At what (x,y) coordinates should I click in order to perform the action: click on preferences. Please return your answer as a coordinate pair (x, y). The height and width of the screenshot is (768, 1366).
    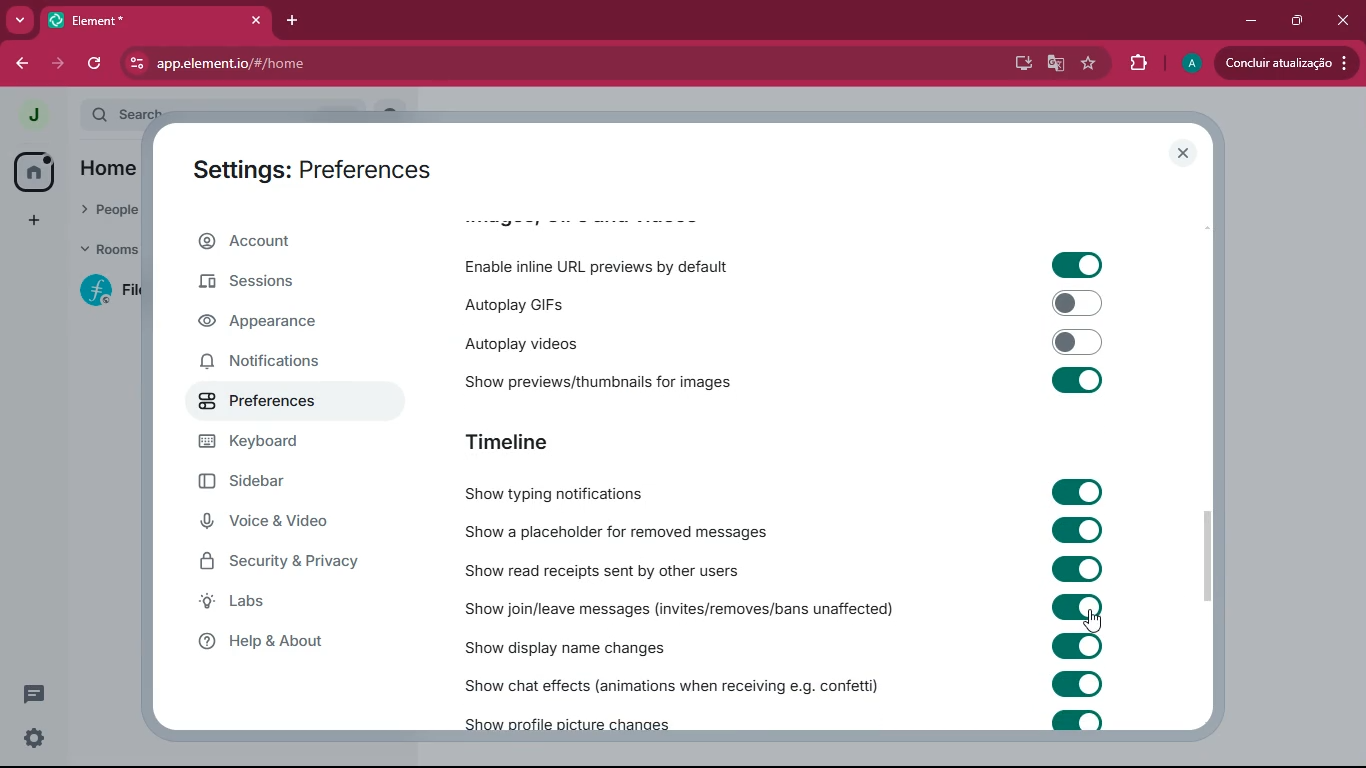
    Looking at the image, I should click on (270, 400).